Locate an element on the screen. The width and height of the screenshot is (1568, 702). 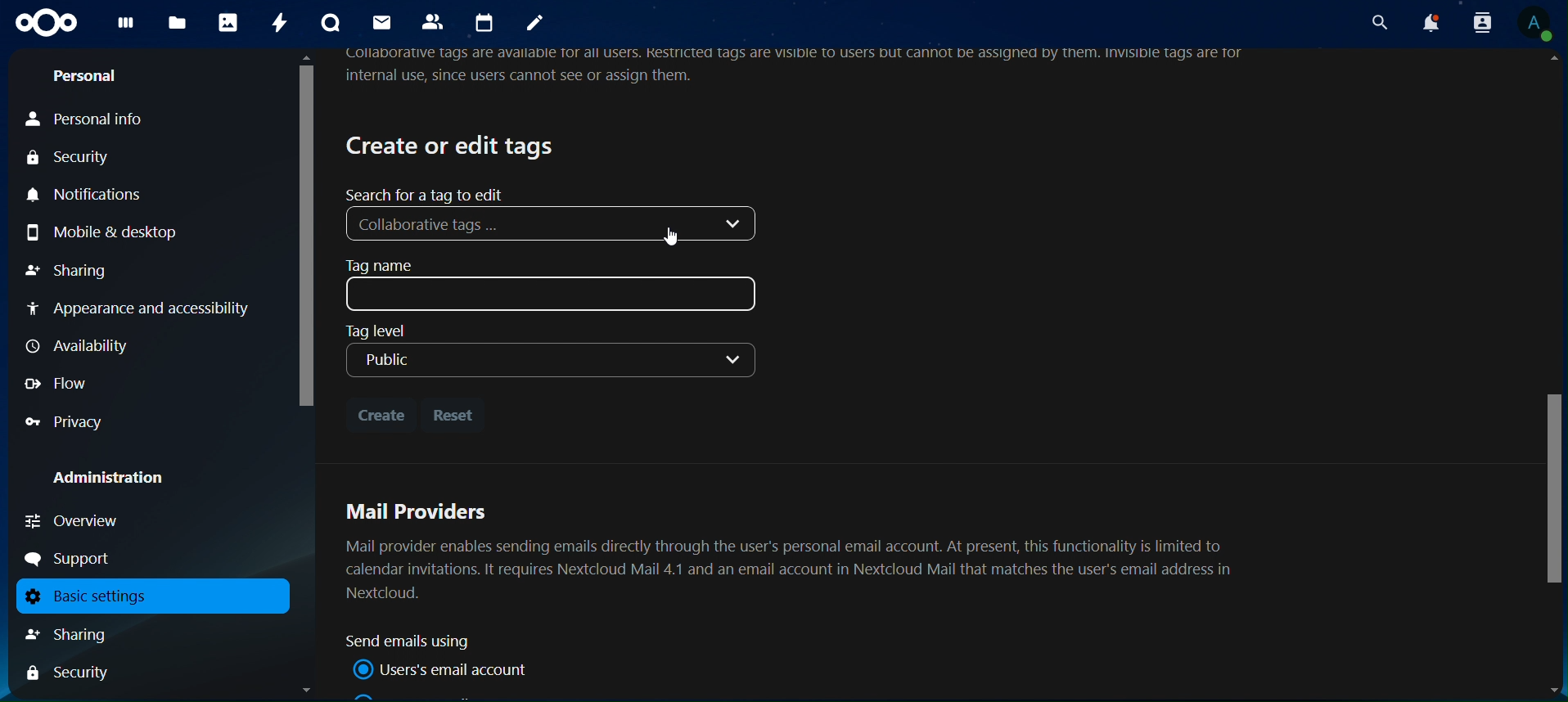
support is located at coordinates (74, 559).